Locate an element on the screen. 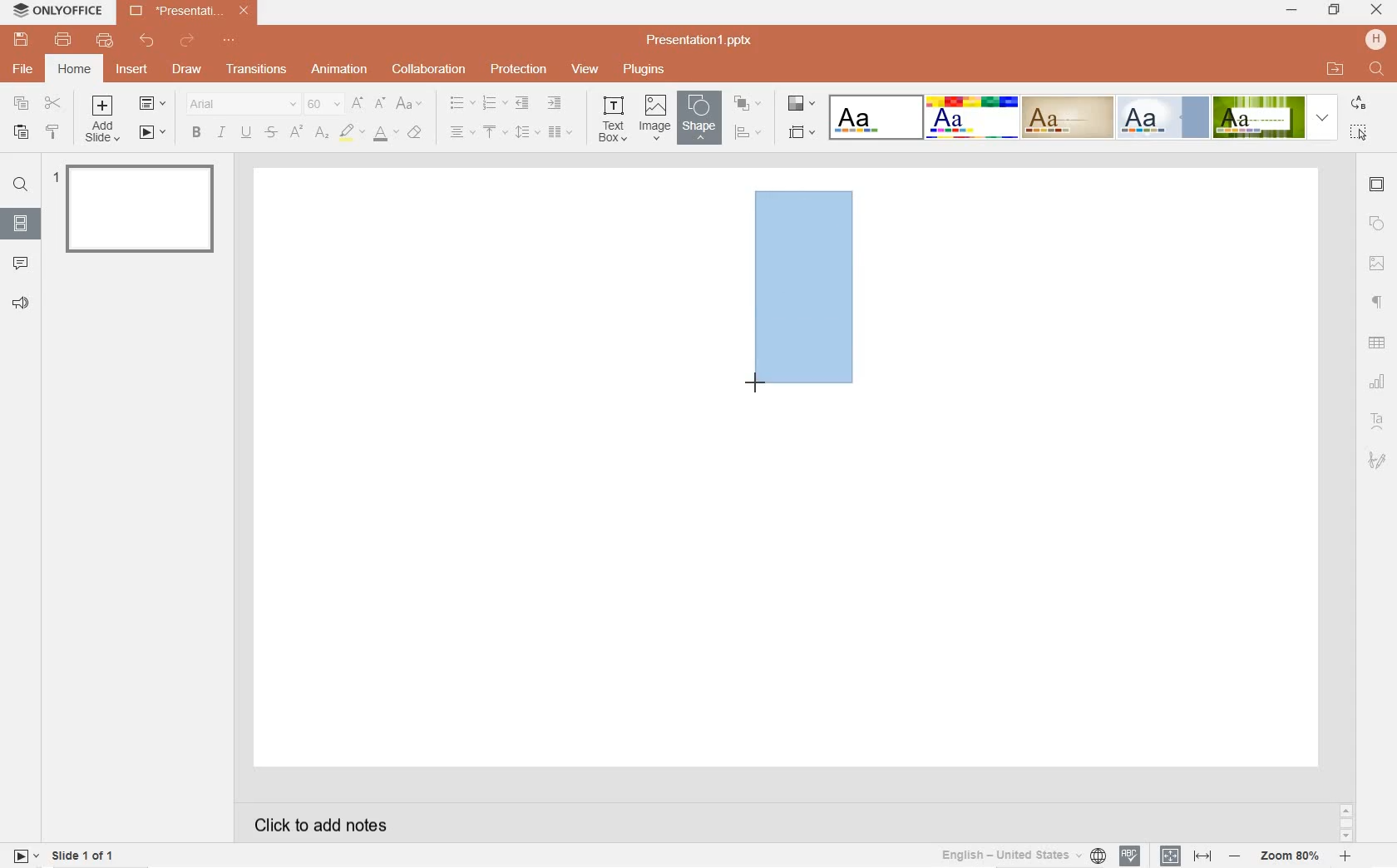  bullet is located at coordinates (462, 103).